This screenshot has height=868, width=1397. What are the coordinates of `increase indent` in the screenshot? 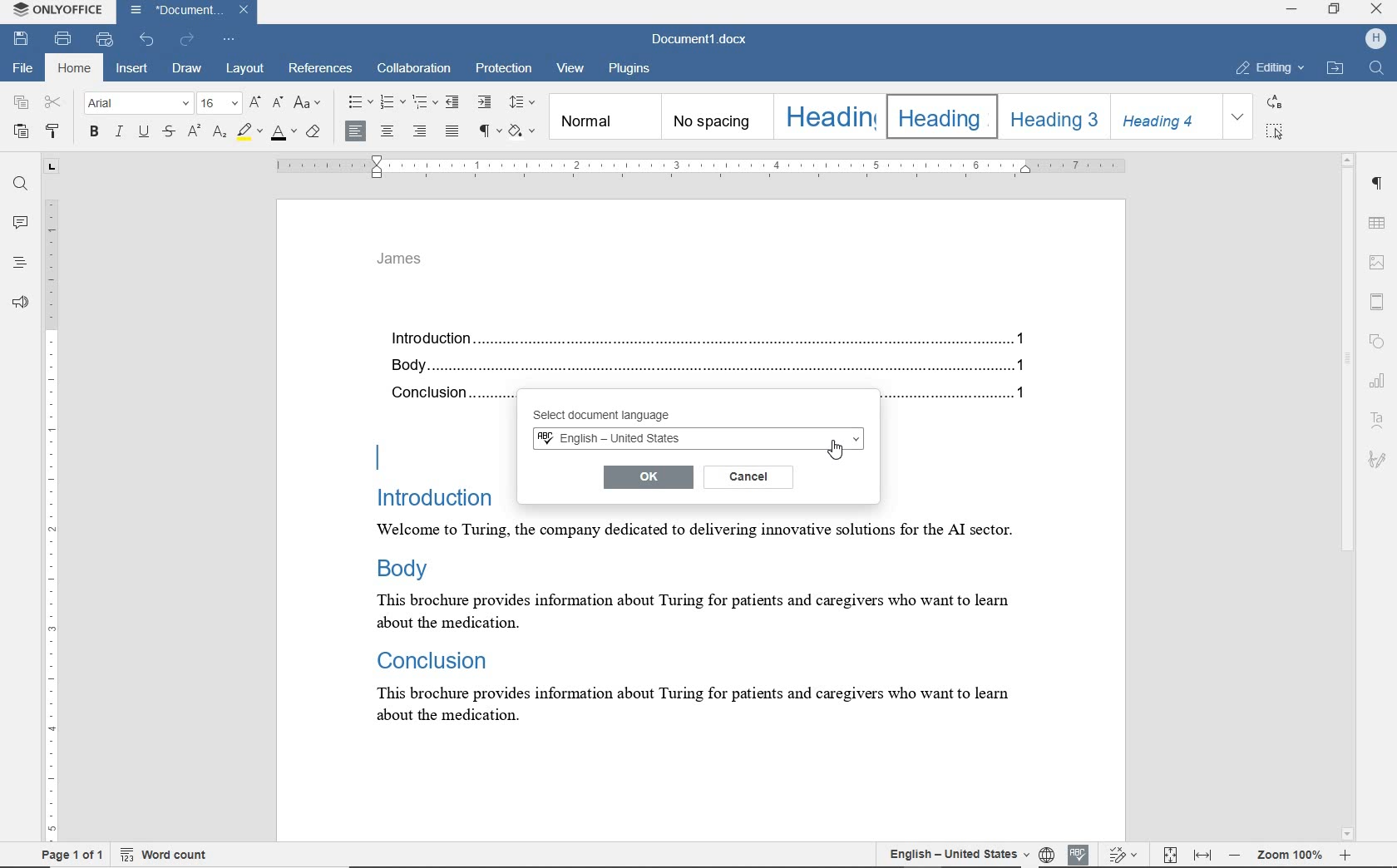 It's located at (483, 101).